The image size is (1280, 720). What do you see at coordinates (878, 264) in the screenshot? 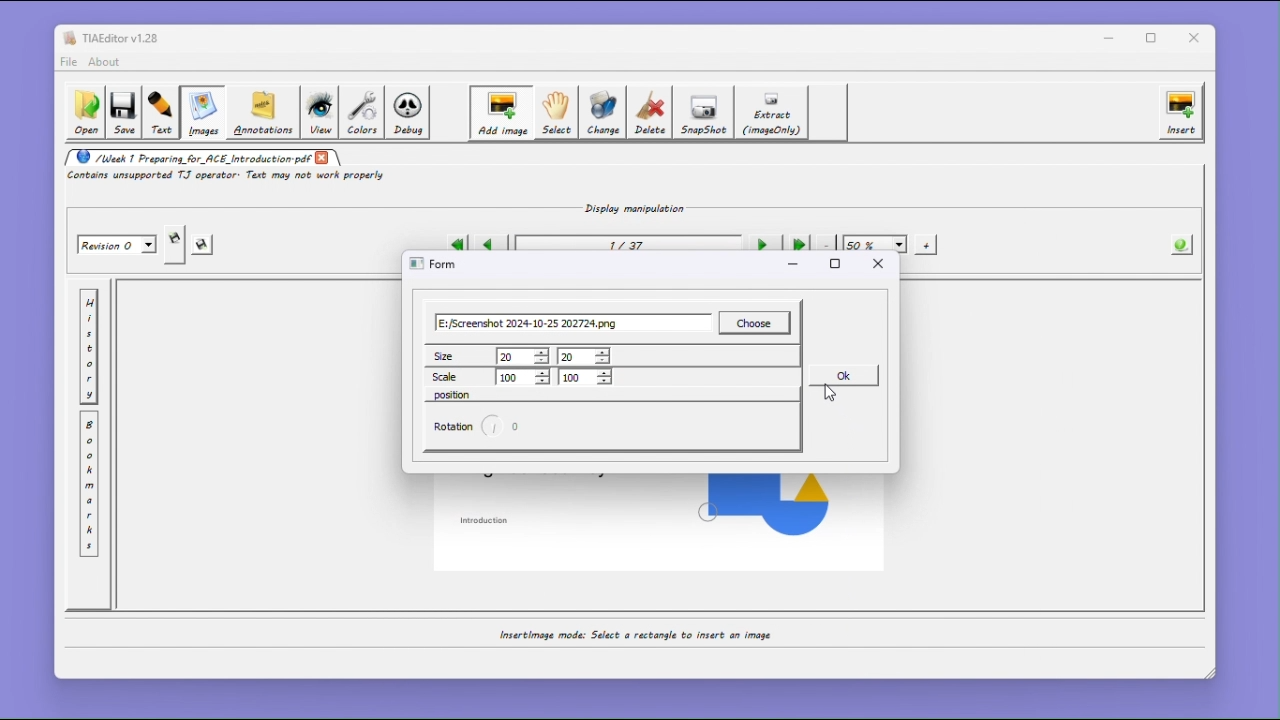
I see `close` at bounding box center [878, 264].